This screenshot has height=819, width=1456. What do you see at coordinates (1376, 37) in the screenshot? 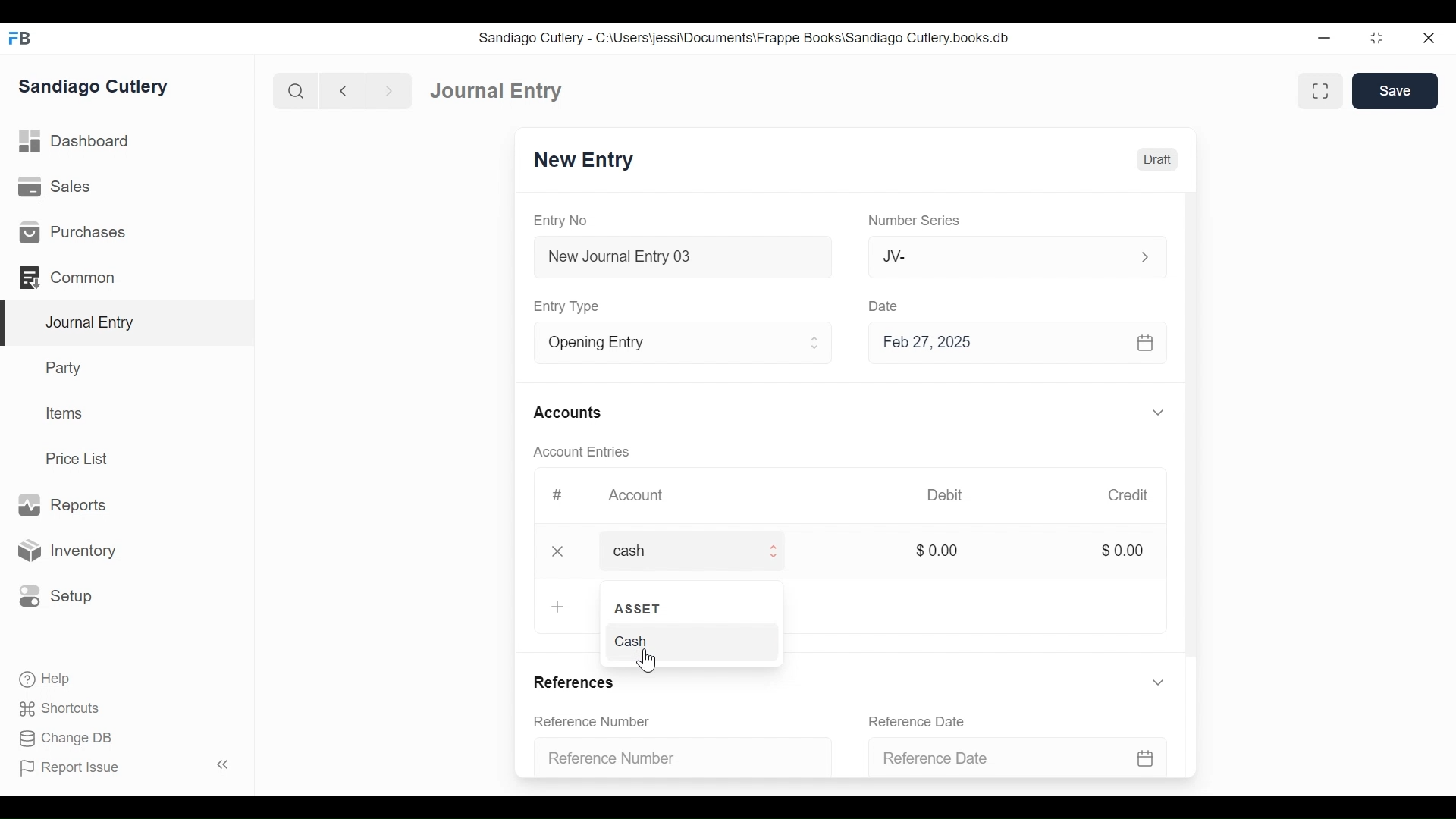
I see `Restore` at bounding box center [1376, 37].